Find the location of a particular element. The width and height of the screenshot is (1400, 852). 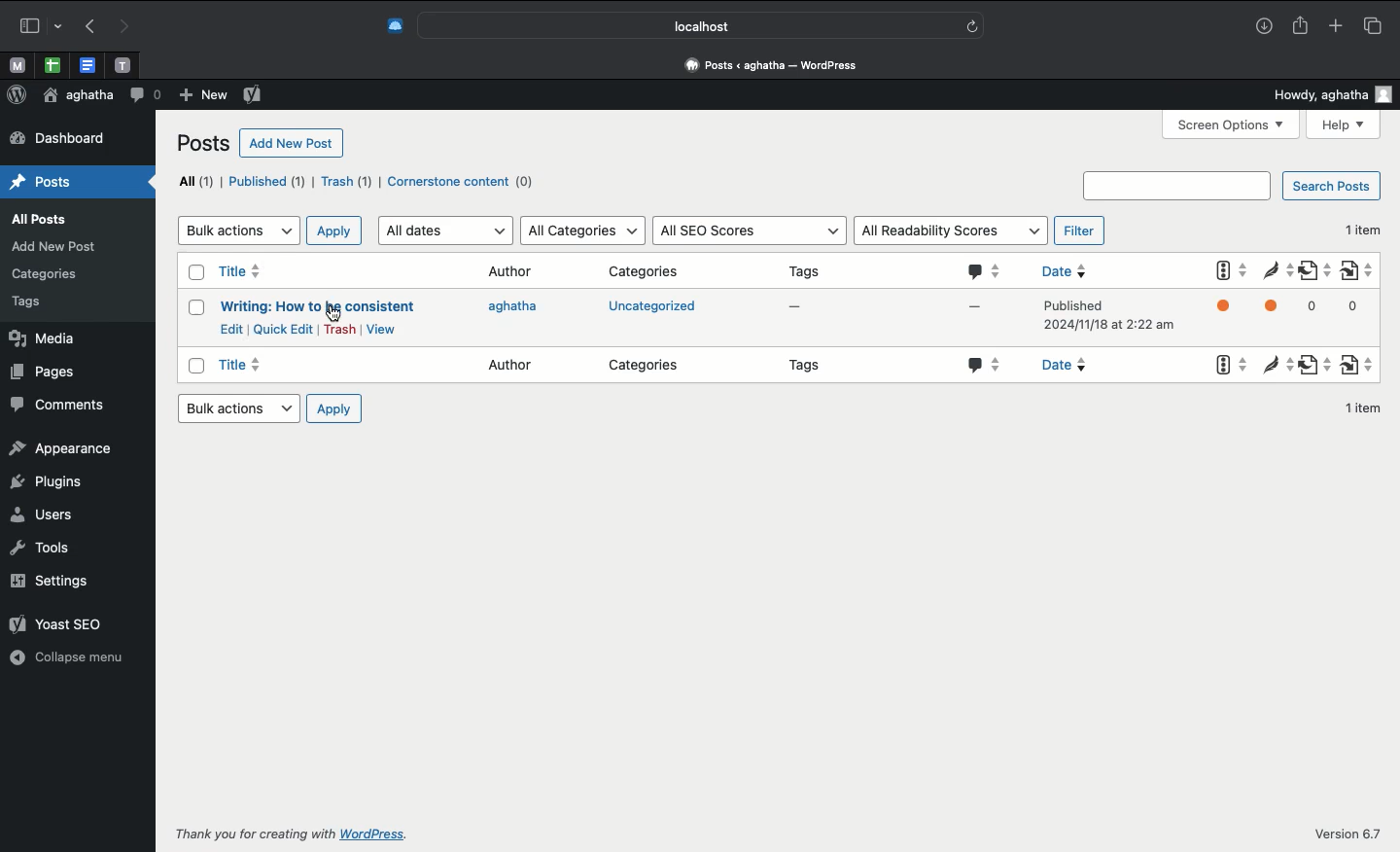

Quick edit is located at coordinates (282, 329).